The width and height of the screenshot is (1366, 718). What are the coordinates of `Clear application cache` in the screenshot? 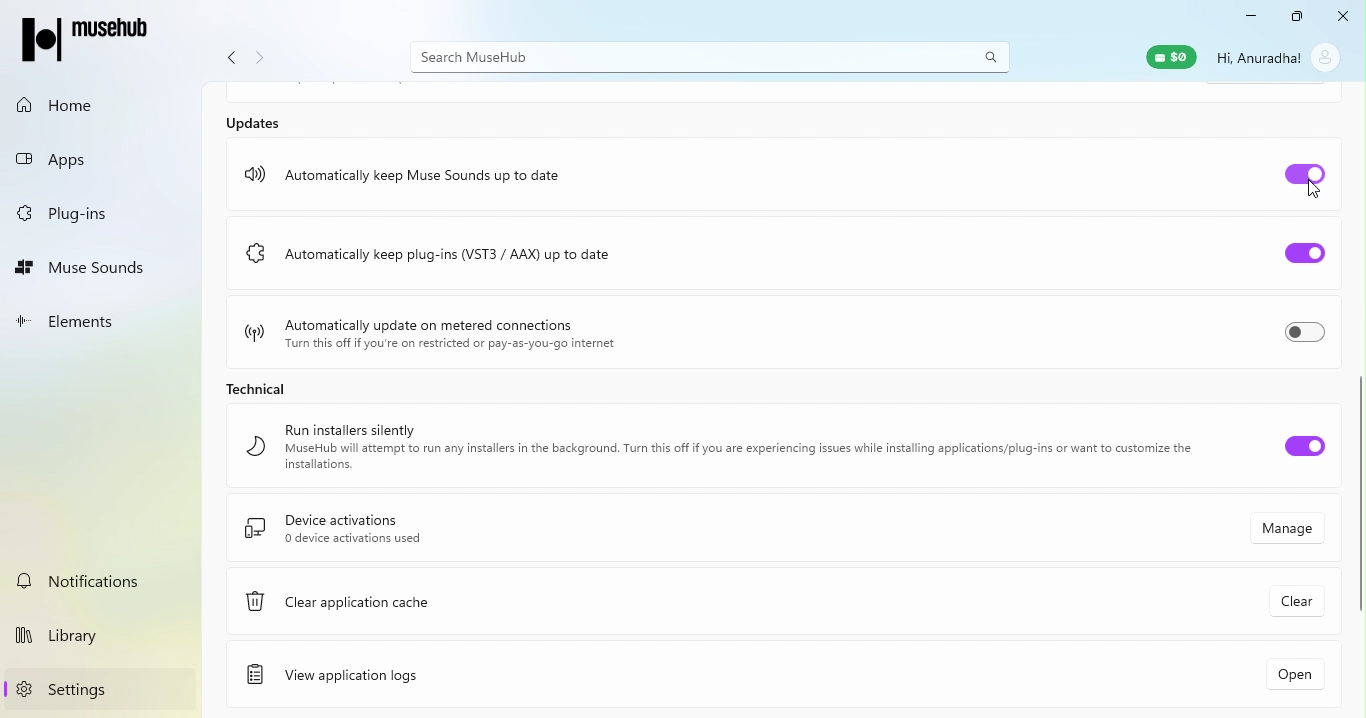 It's located at (462, 607).